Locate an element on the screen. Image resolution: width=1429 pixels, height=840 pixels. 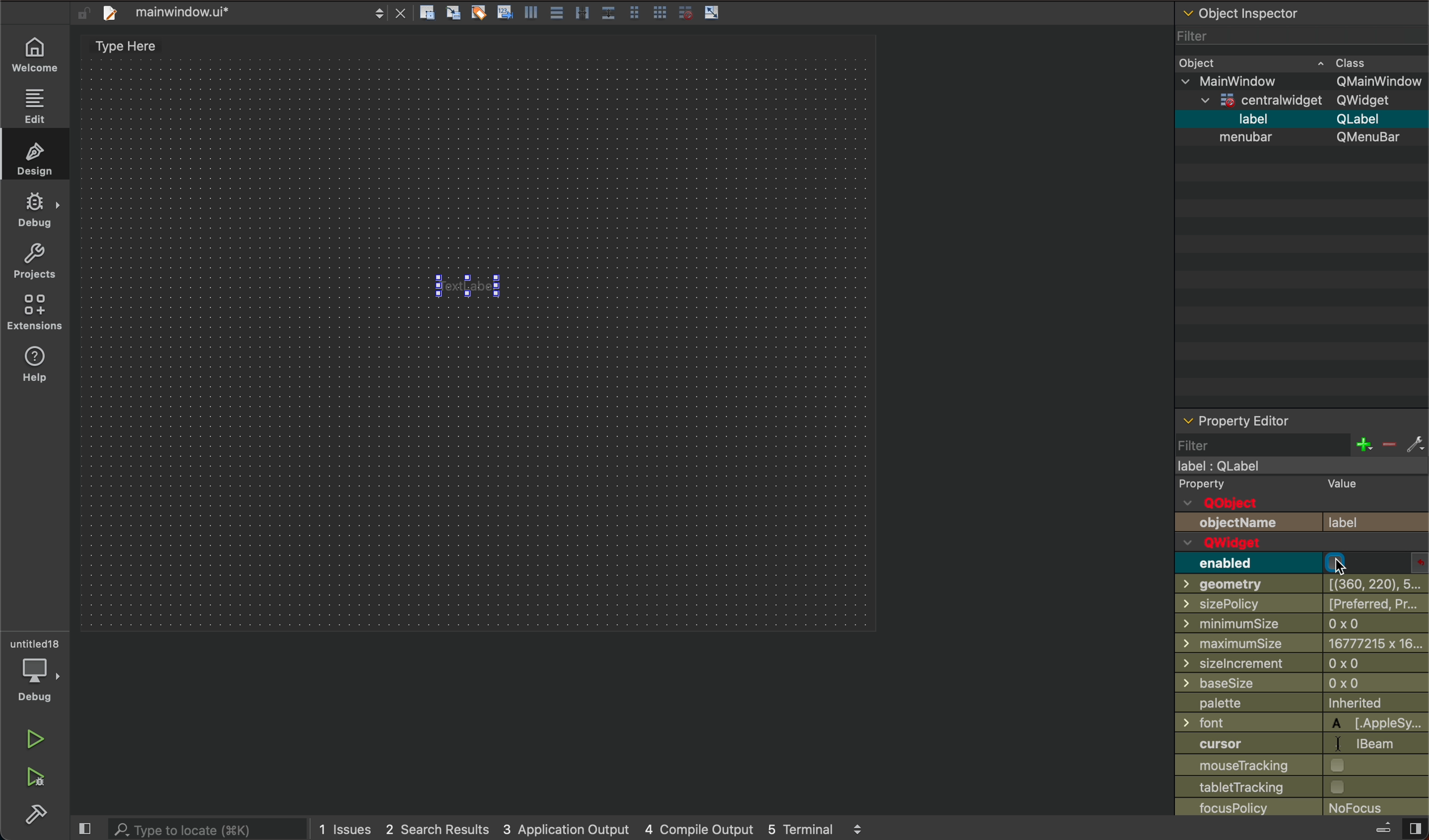
mouse tracking is located at coordinates (1244, 766).